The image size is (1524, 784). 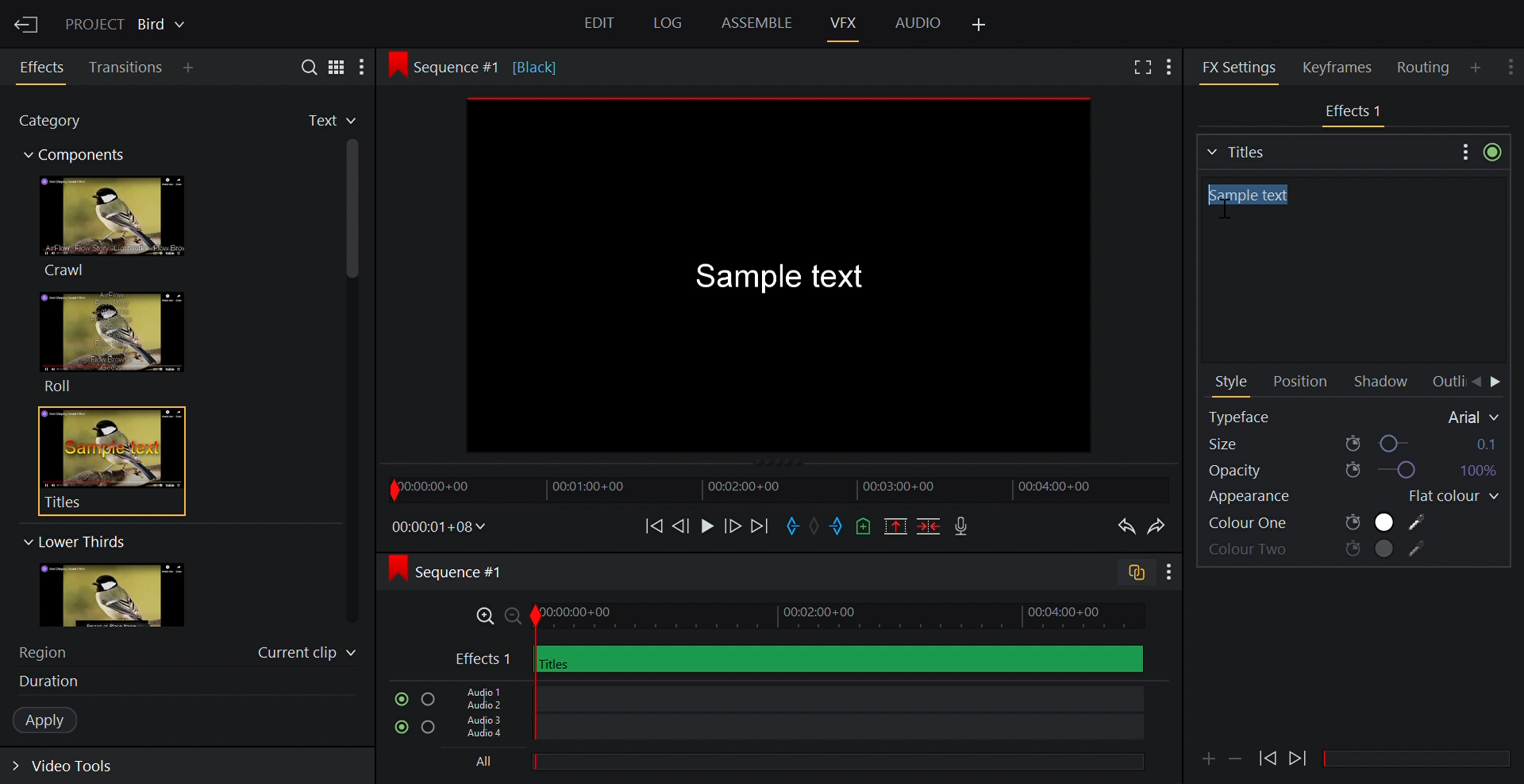 What do you see at coordinates (706, 525) in the screenshot?
I see `Play` at bounding box center [706, 525].